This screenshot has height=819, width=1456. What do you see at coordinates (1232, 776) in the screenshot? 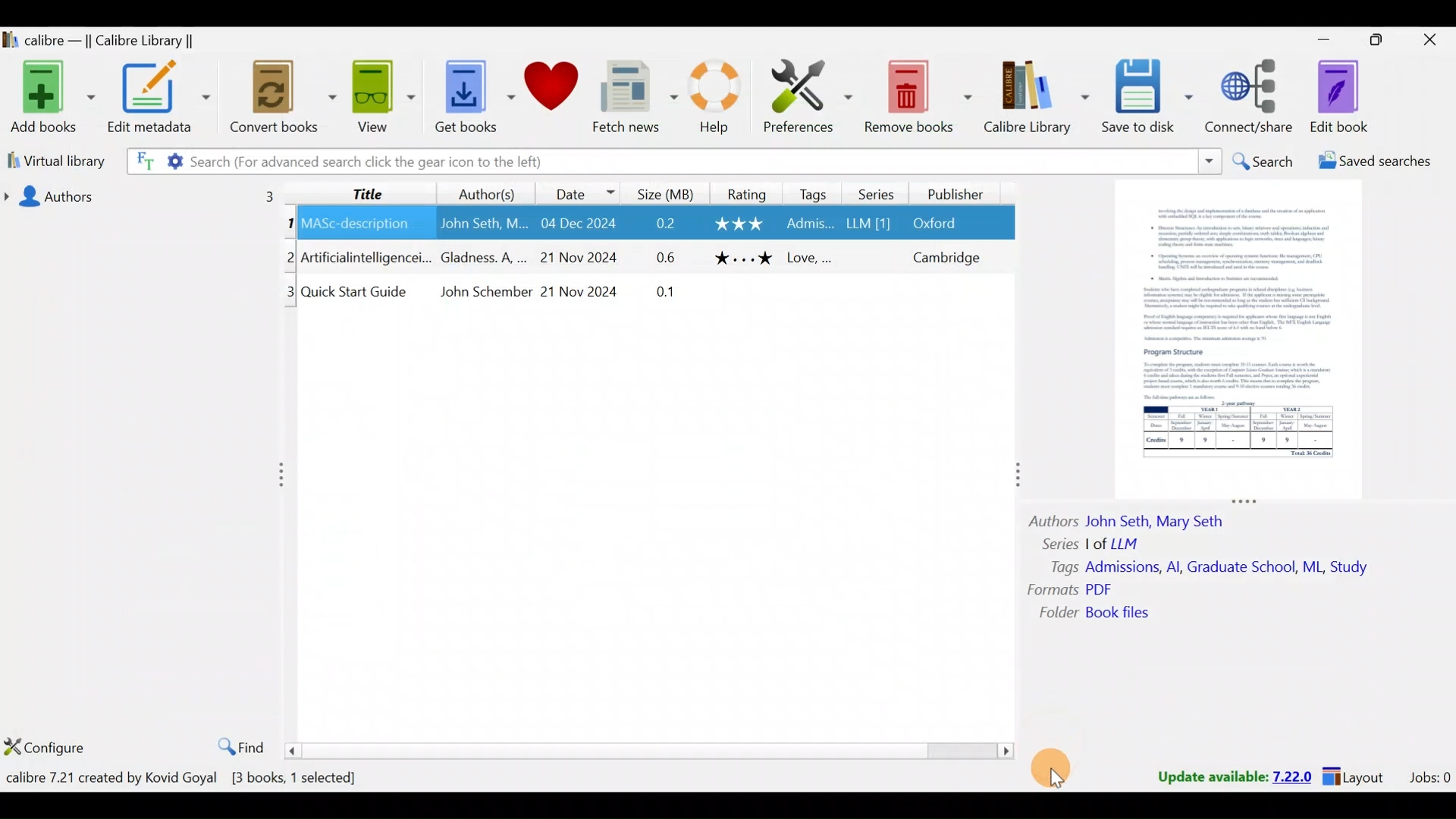
I see `Update` at bounding box center [1232, 776].